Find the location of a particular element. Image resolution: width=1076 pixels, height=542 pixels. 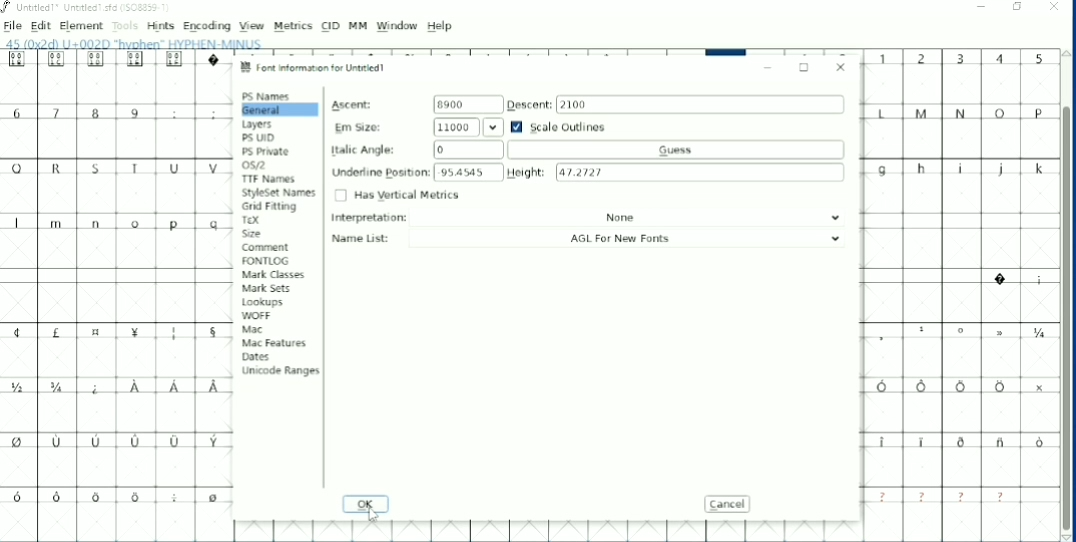

OS/2 is located at coordinates (256, 166).